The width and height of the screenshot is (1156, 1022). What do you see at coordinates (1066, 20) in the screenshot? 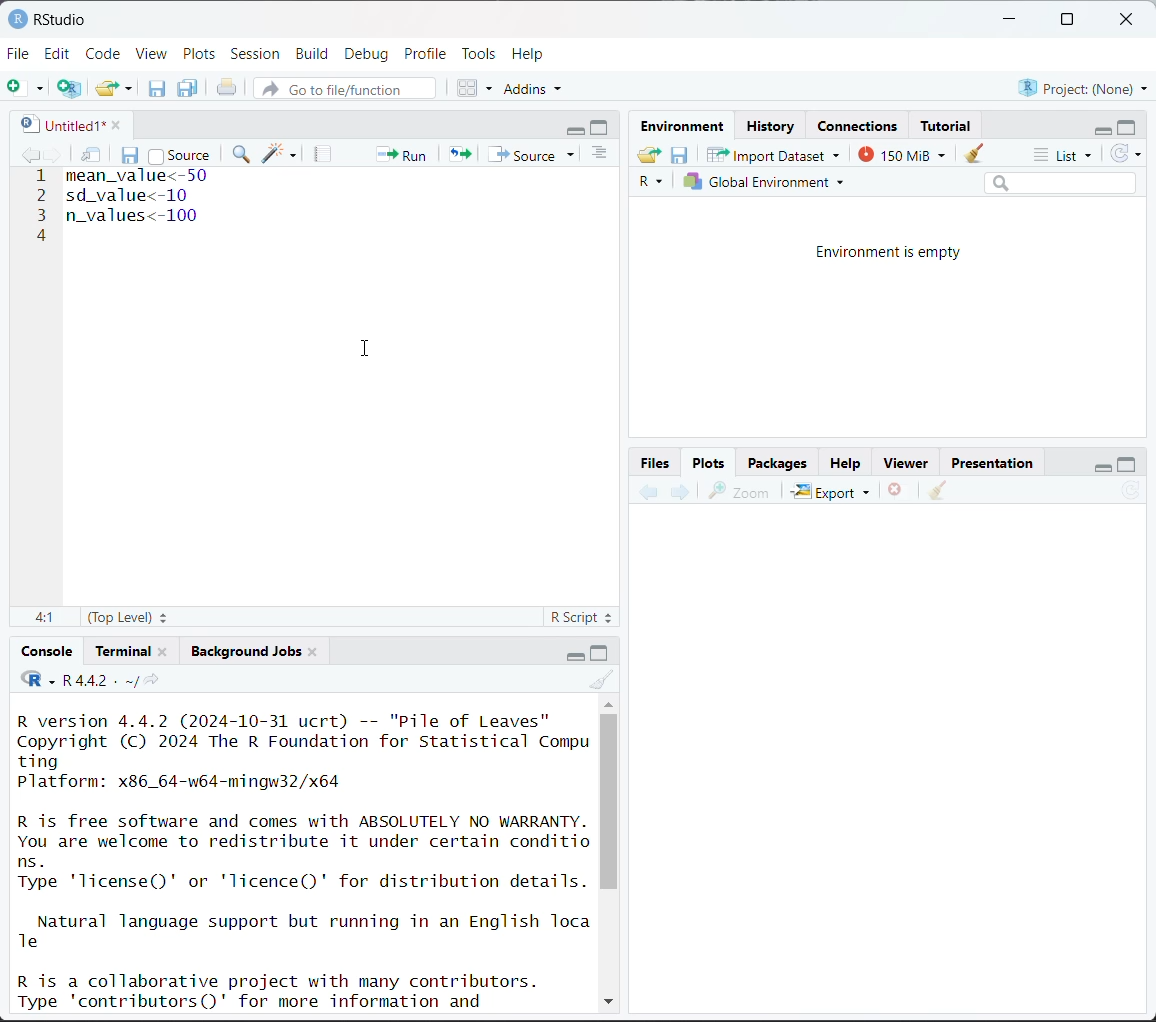
I see `maximize` at bounding box center [1066, 20].